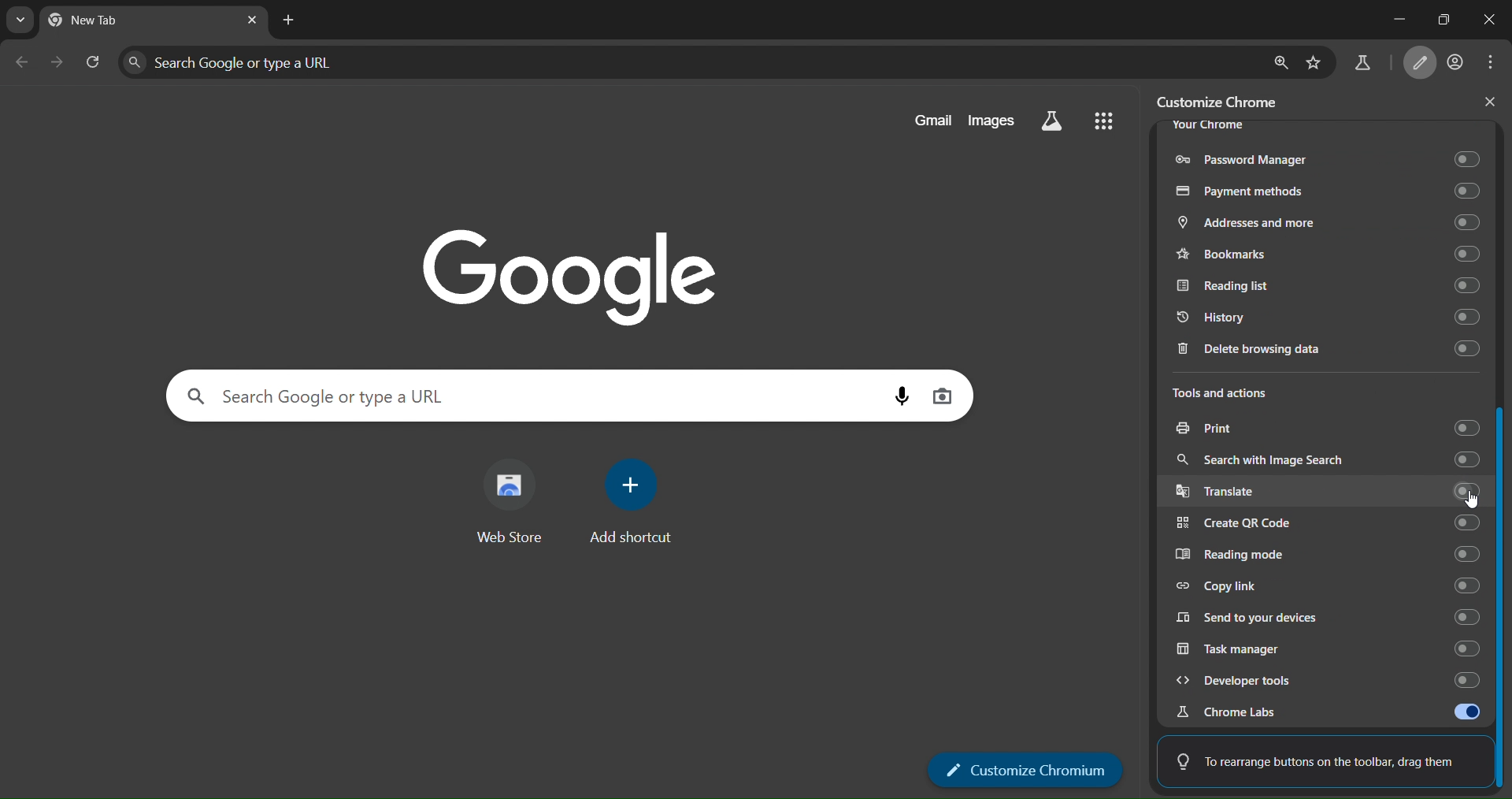  What do you see at coordinates (928, 121) in the screenshot?
I see `gmail` at bounding box center [928, 121].